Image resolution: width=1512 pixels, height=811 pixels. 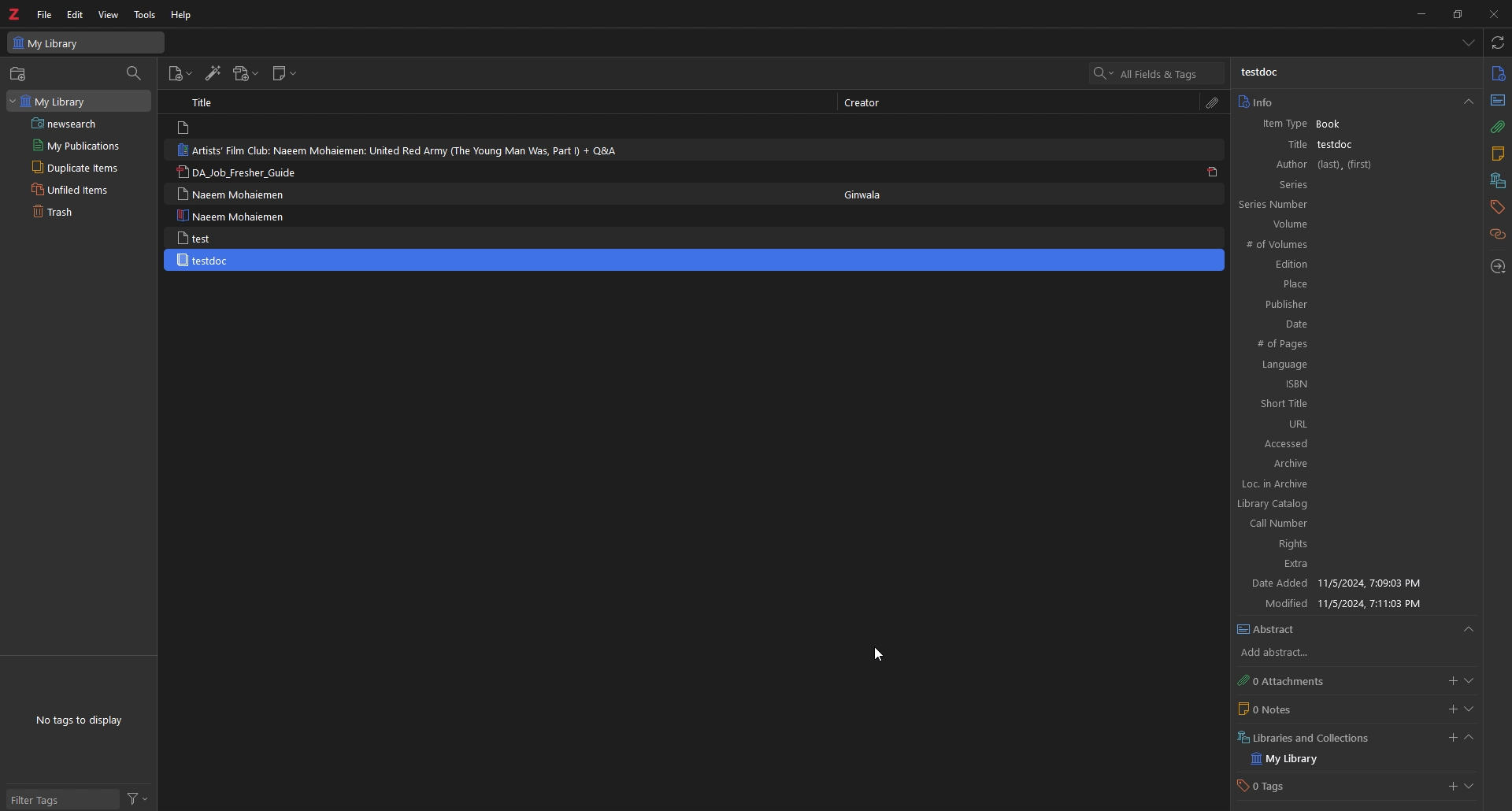 What do you see at coordinates (868, 103) in the screenshot?
I see `Creator` at bounding box center [868, 103].